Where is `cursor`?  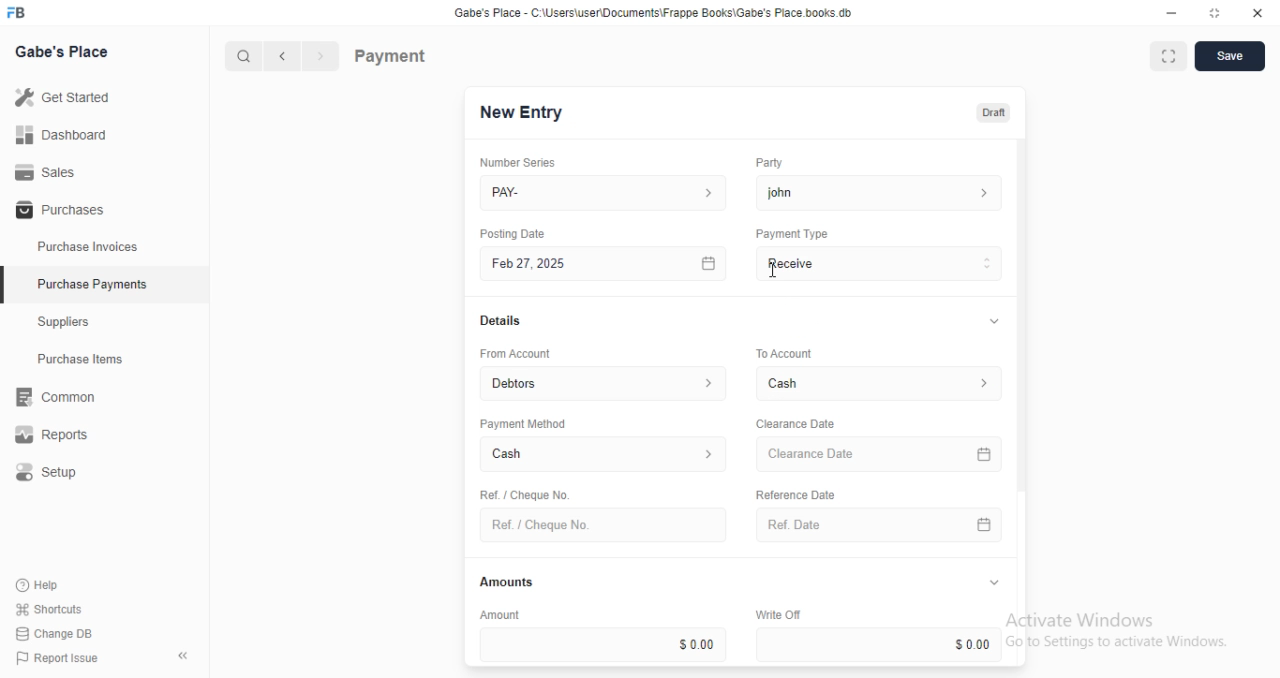
cursor is located at coordinates (773, 273).